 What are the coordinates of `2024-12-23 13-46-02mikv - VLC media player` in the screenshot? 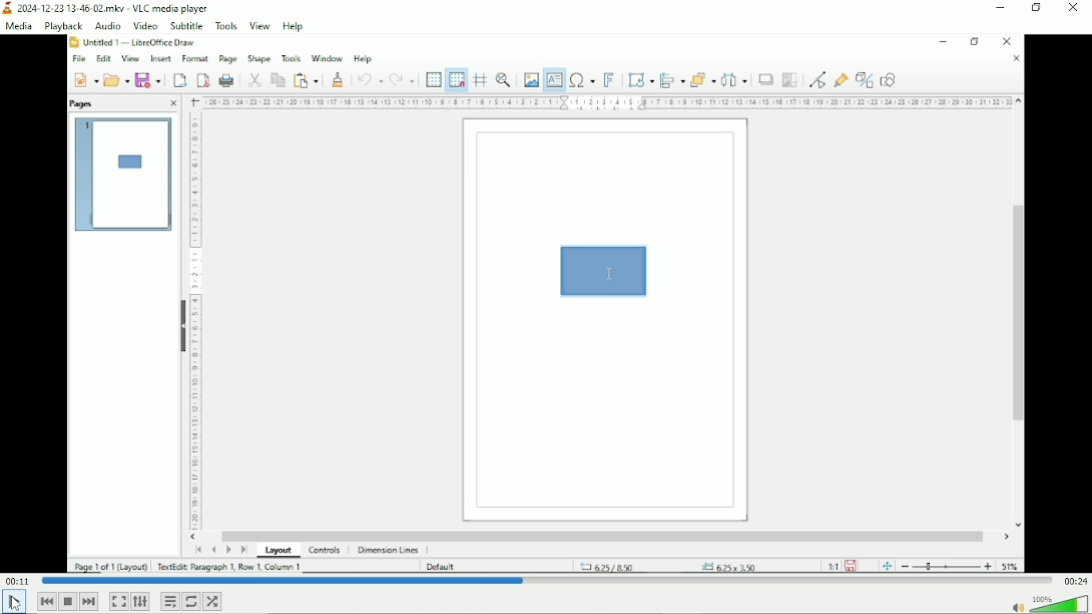 It's located at (117, 8).